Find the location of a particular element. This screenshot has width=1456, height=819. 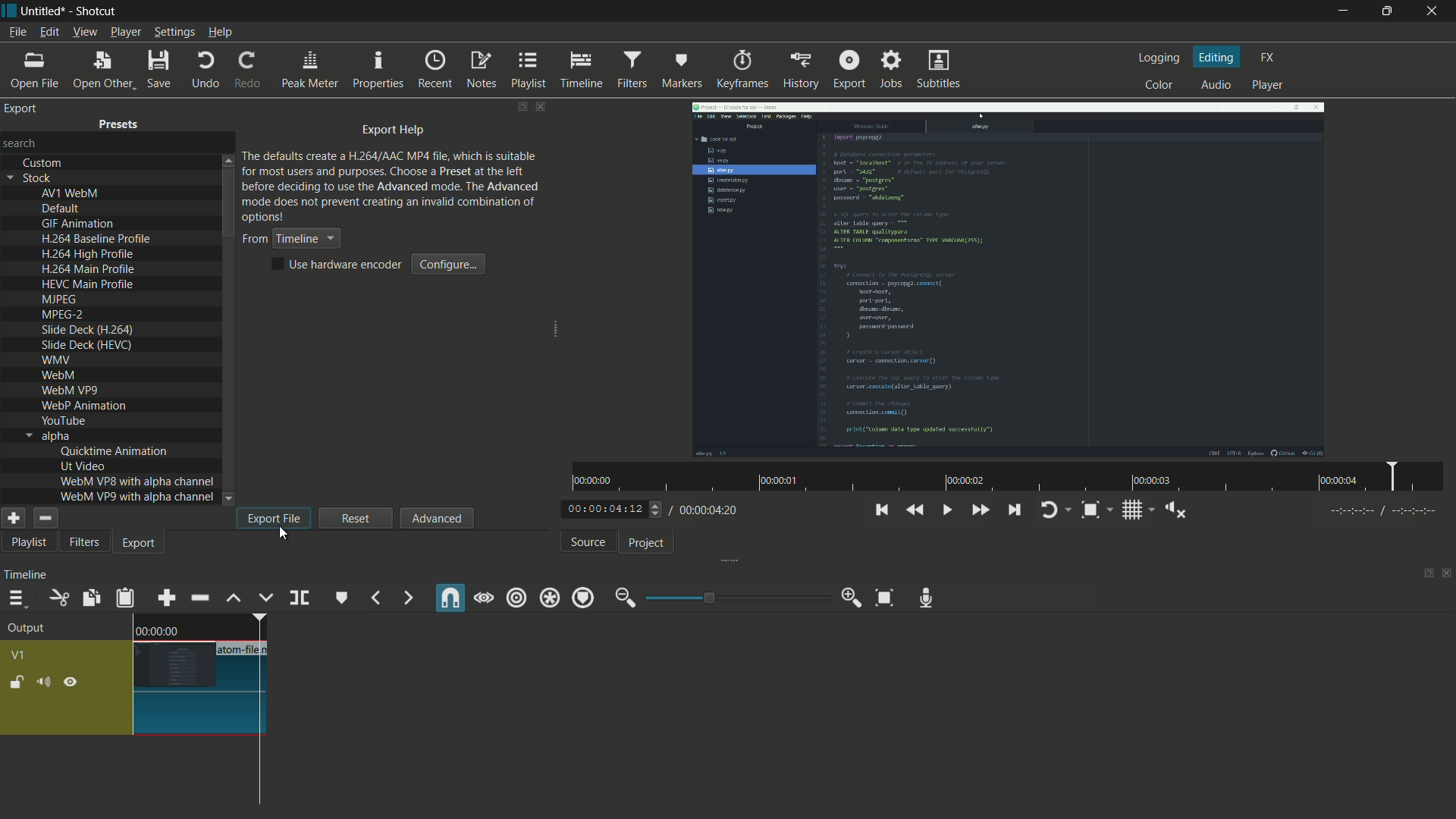

mjpeg is located at coordinates (57, 300).